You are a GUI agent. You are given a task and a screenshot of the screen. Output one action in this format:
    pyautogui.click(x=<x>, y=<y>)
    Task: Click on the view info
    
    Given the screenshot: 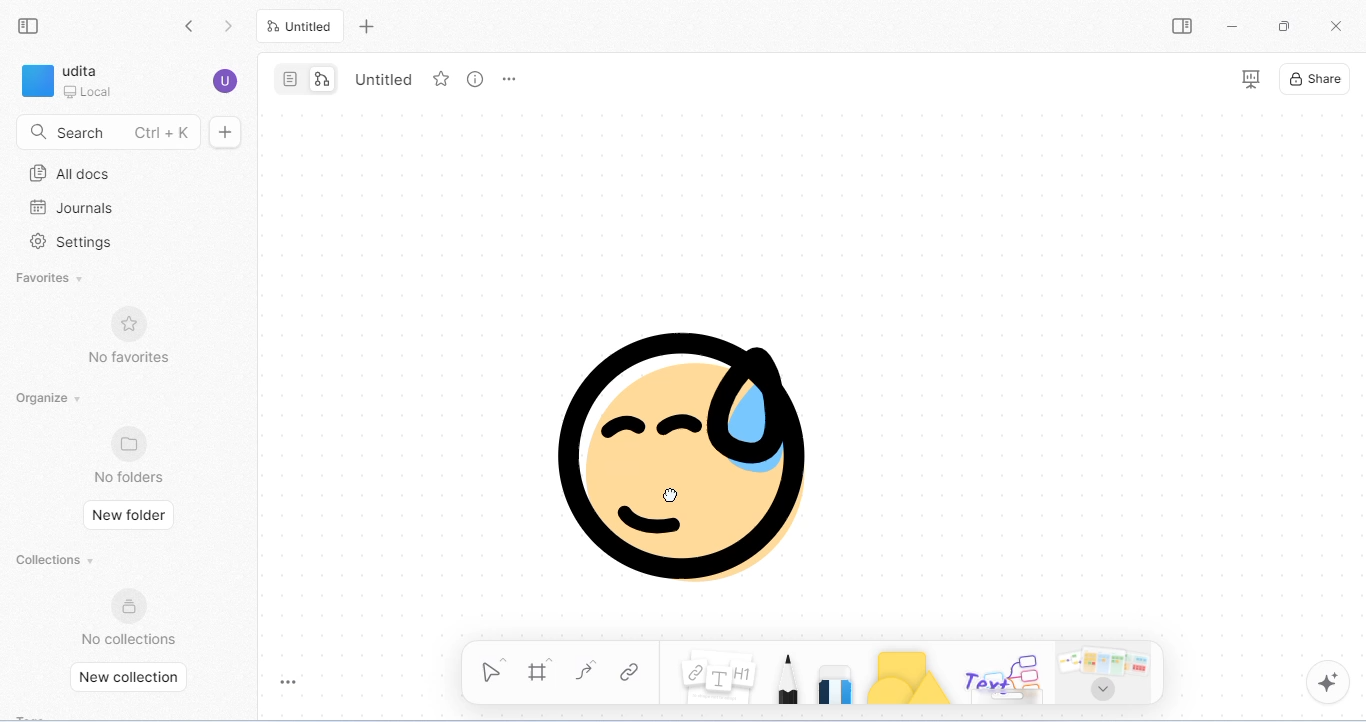 What is the action you would take?
    pyautogui.click(x=476, y=79)
    